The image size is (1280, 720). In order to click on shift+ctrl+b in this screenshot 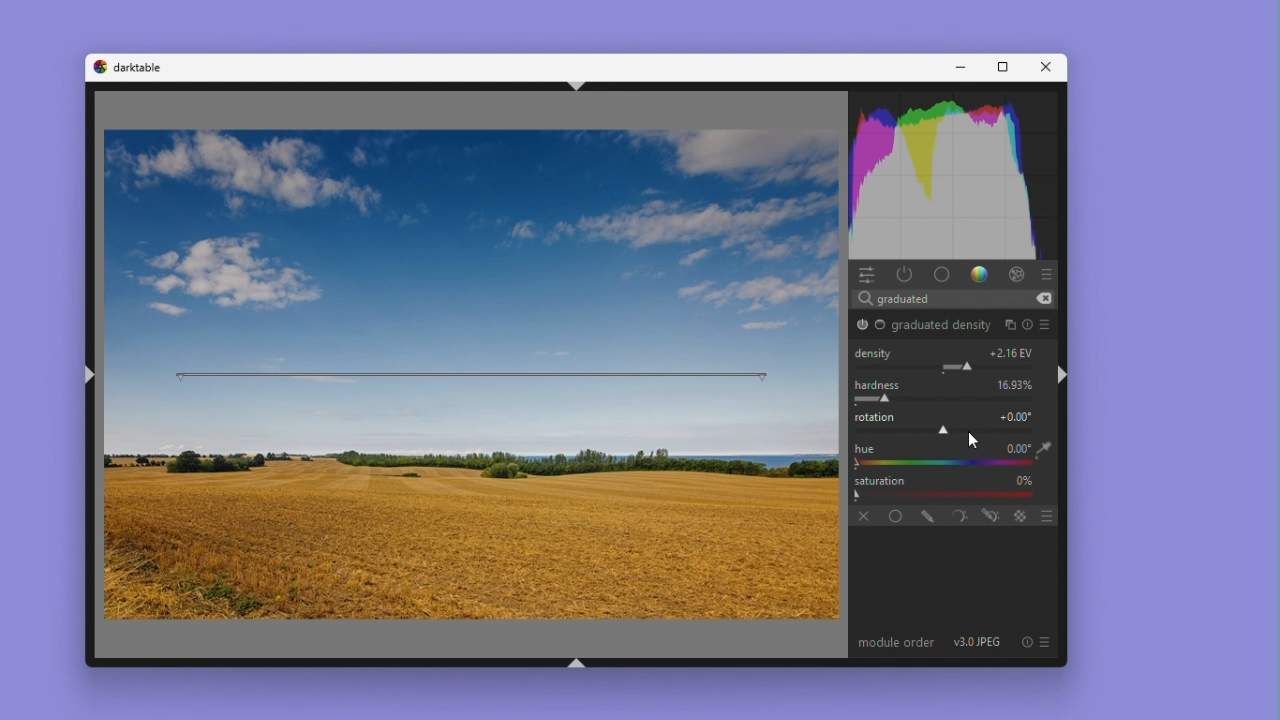, I will do `click(578, 665)`.